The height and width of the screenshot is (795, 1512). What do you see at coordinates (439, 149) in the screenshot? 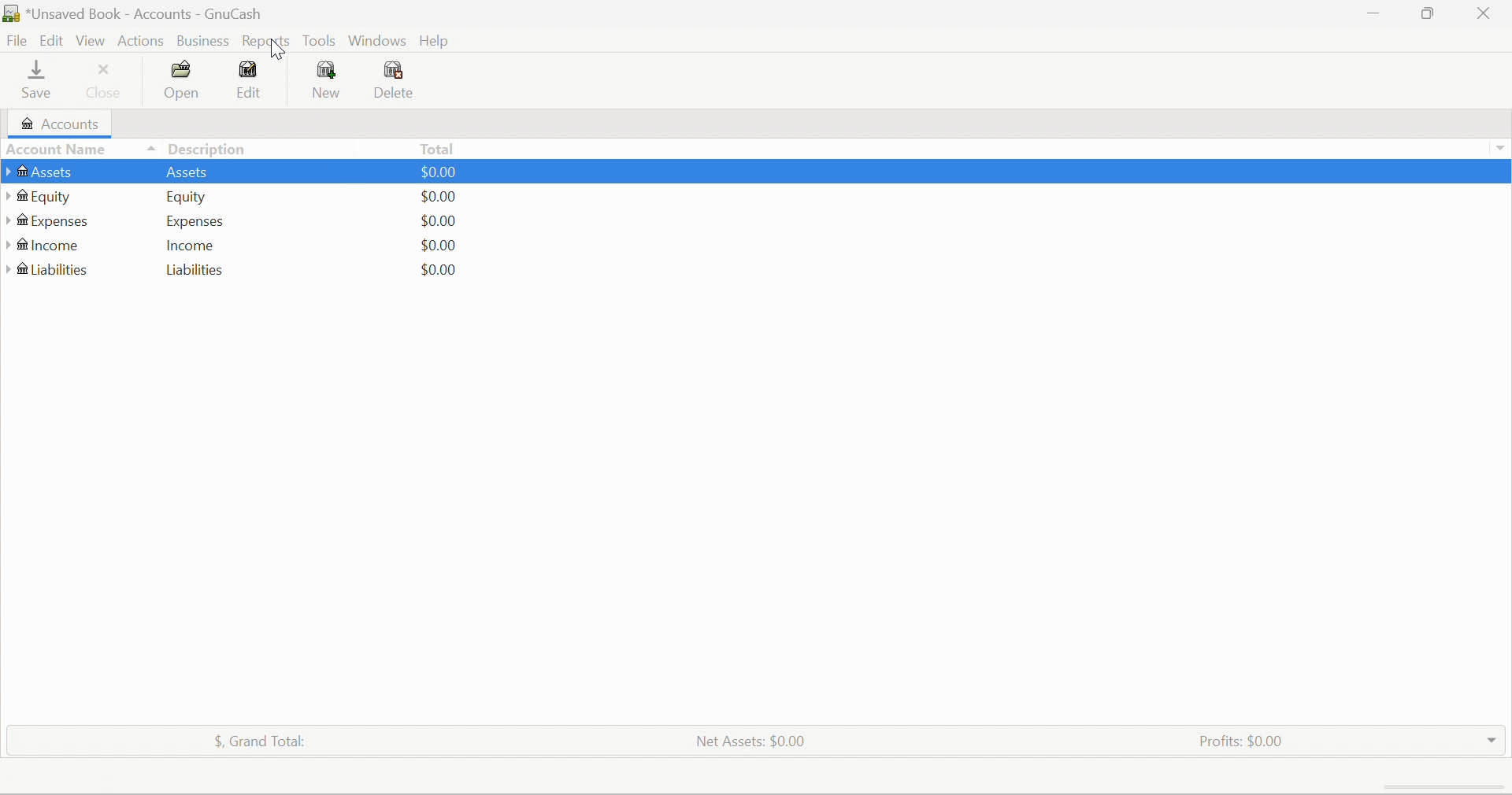
I see `Total` at bounding box center [439, 149].